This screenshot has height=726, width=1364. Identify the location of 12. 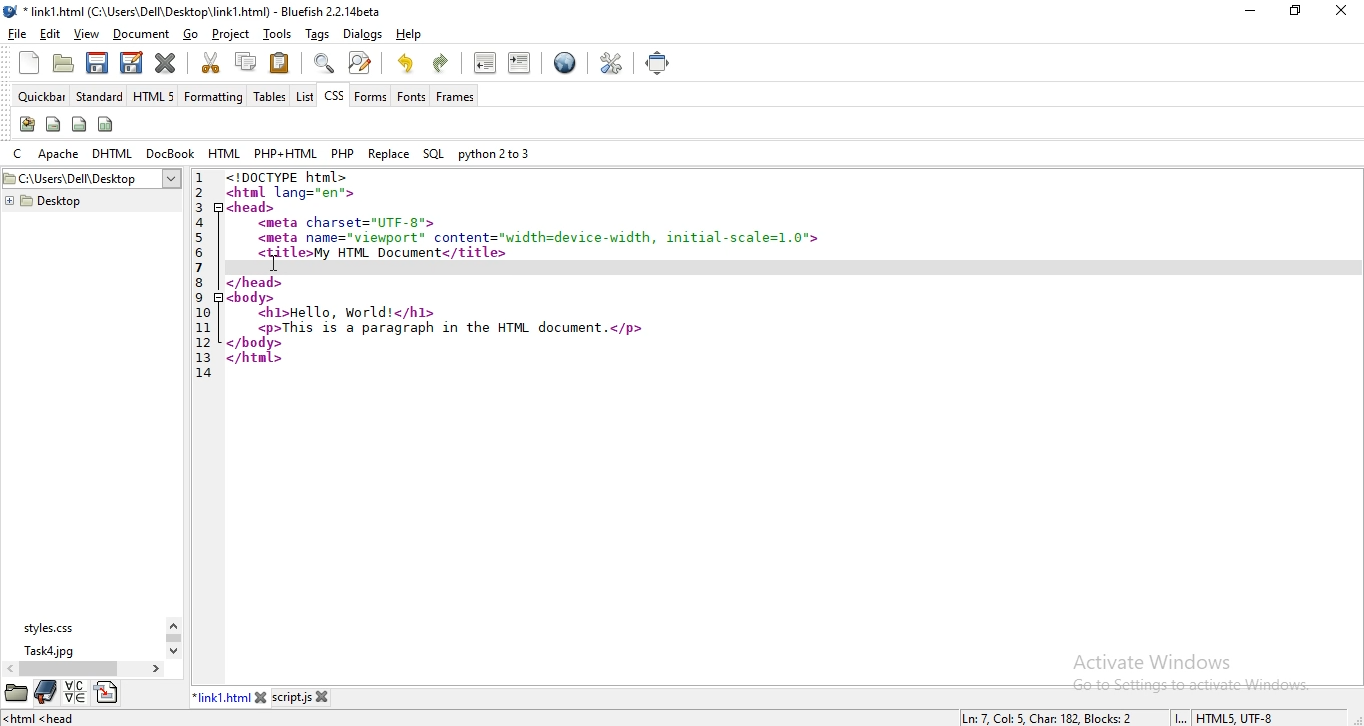
(203, 344).